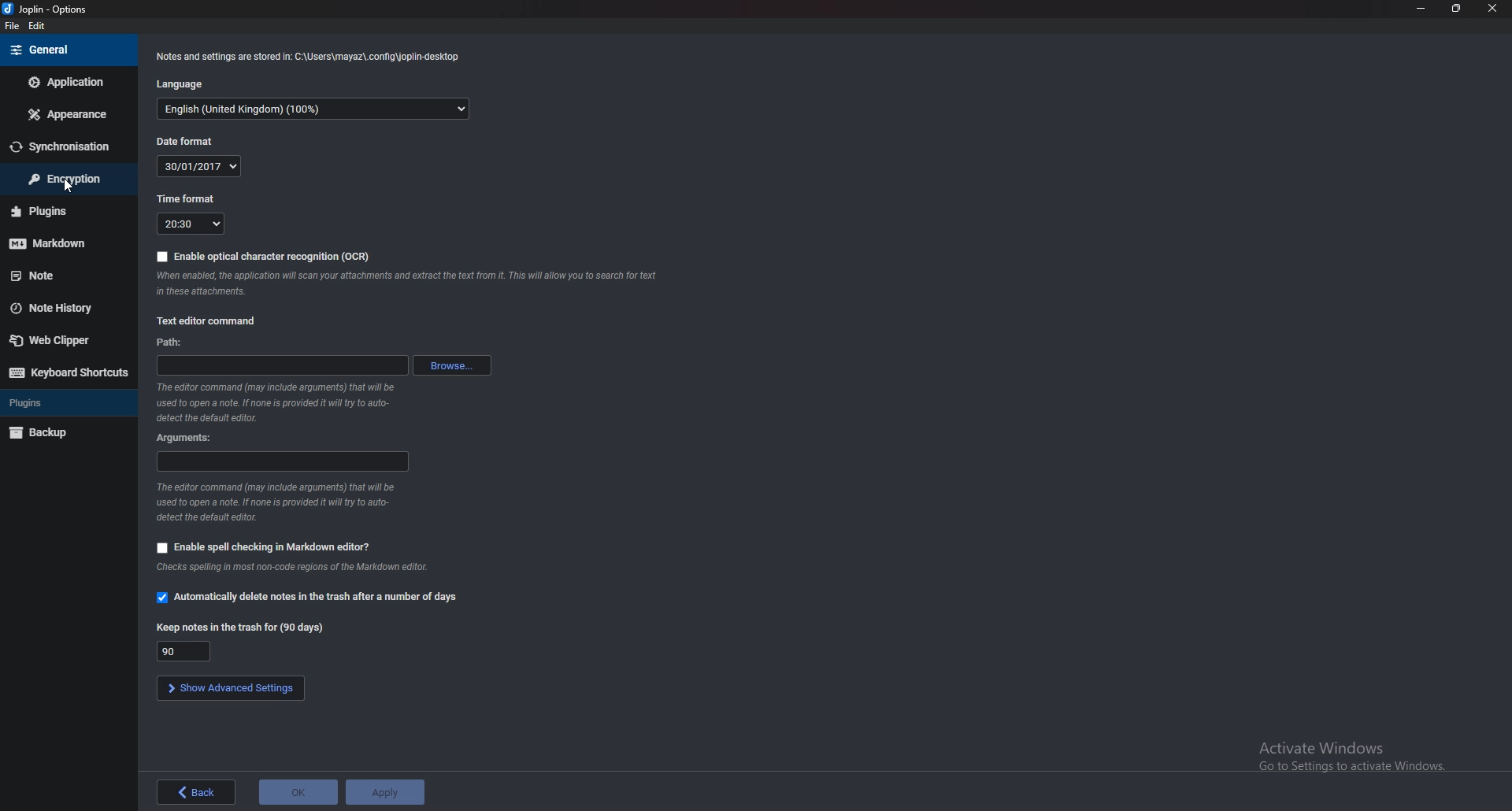  What do you see at coordinates (64, 307) in the screenshot?
I see `note history` at bounding box center [64, 307].